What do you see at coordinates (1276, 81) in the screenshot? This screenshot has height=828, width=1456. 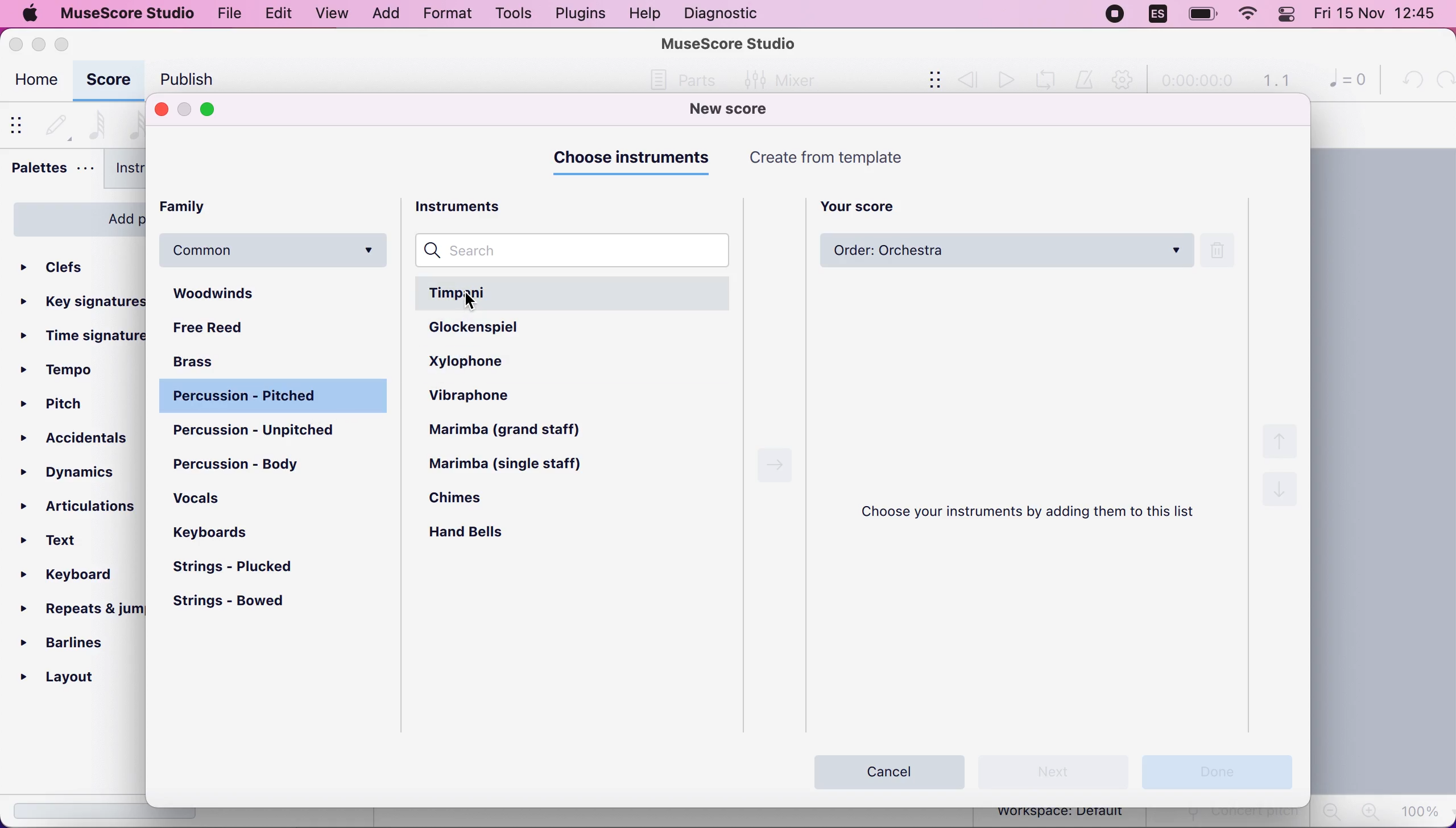 I see `1.1 time` at bounding box center [1276, 81].